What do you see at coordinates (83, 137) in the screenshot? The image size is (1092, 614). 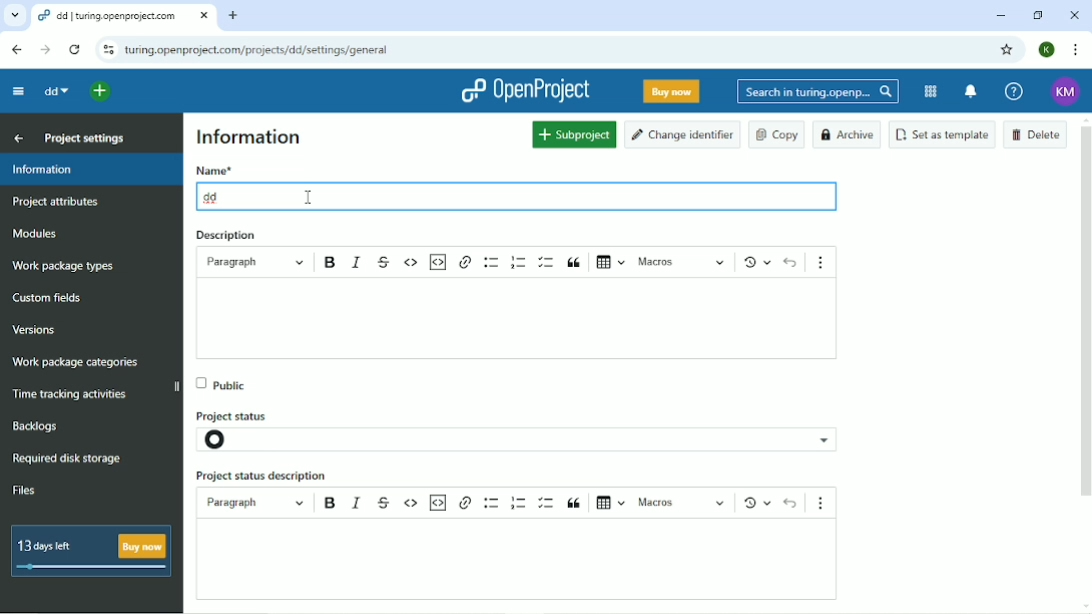 I see `Project settings` at bounding box center [83, 137].